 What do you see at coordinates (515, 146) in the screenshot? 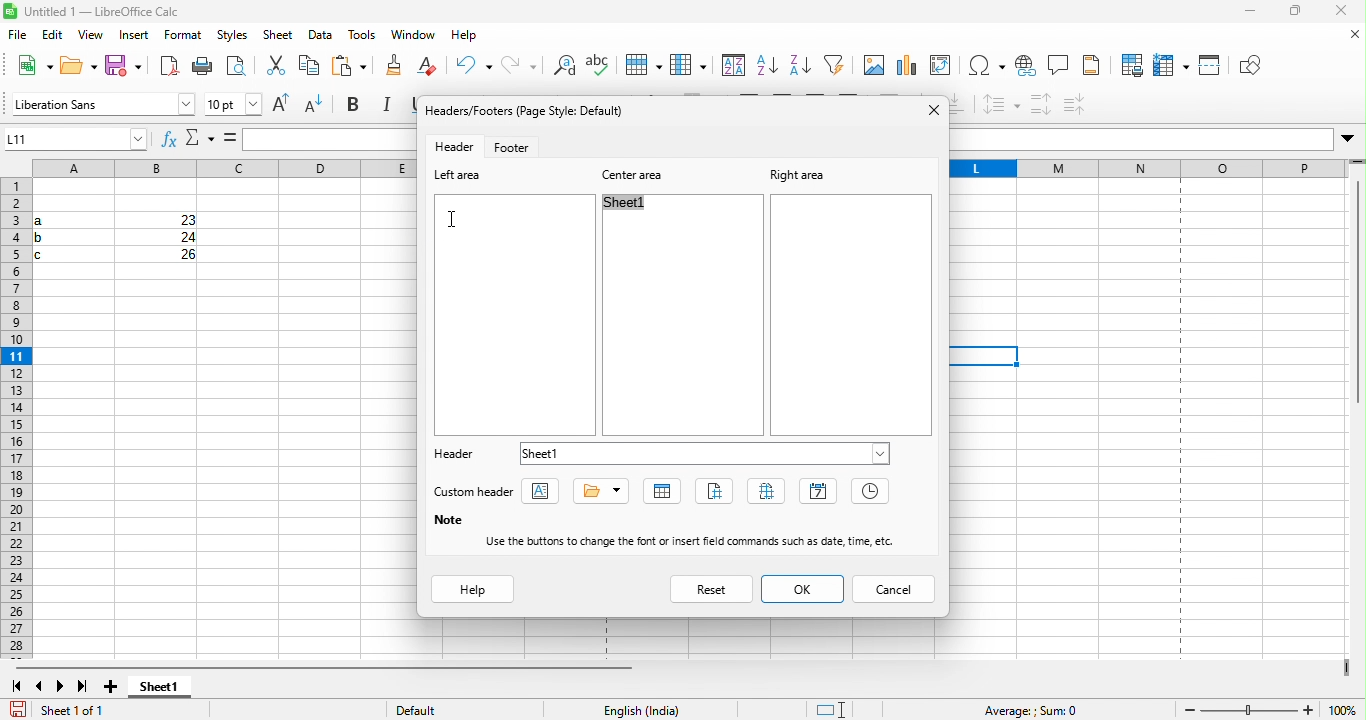
I see `footer` at bounding box center [515, 146].